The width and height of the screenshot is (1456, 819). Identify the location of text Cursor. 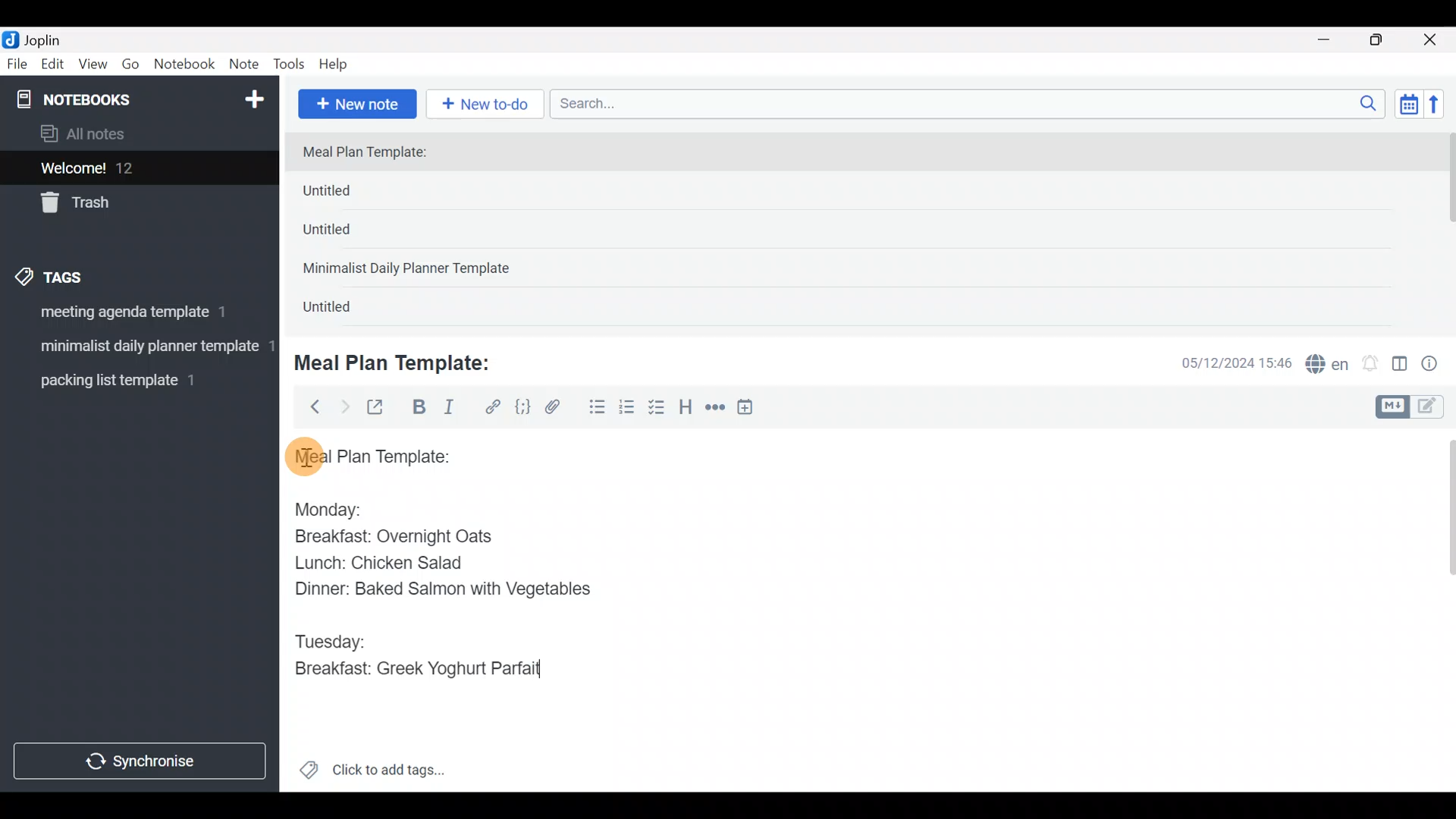
(563, 671).